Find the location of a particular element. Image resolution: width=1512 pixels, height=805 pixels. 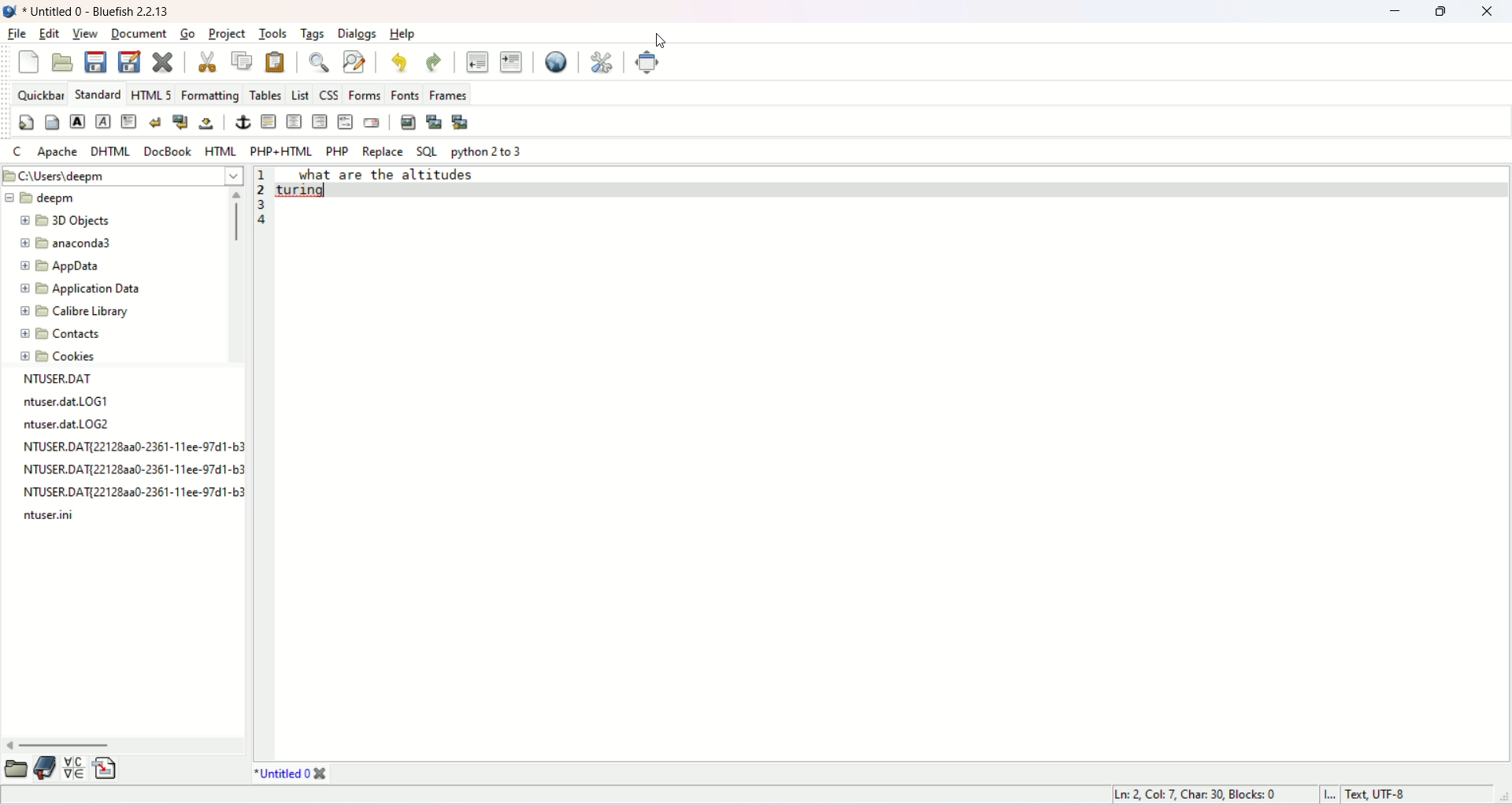

tools is located at coordinates (273, 33).